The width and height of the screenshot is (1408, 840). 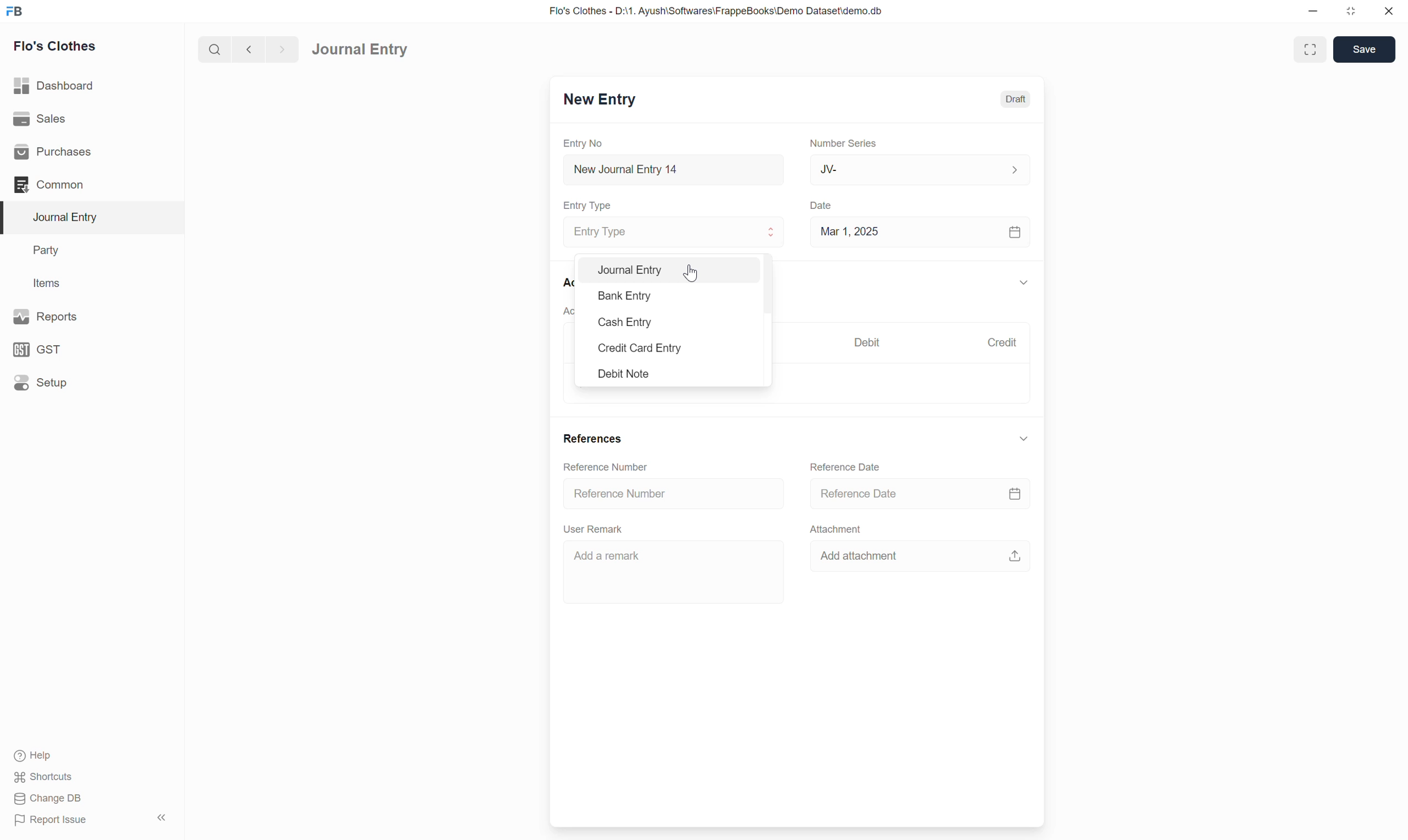 I want to click on Common, so click(x=50, y=185).